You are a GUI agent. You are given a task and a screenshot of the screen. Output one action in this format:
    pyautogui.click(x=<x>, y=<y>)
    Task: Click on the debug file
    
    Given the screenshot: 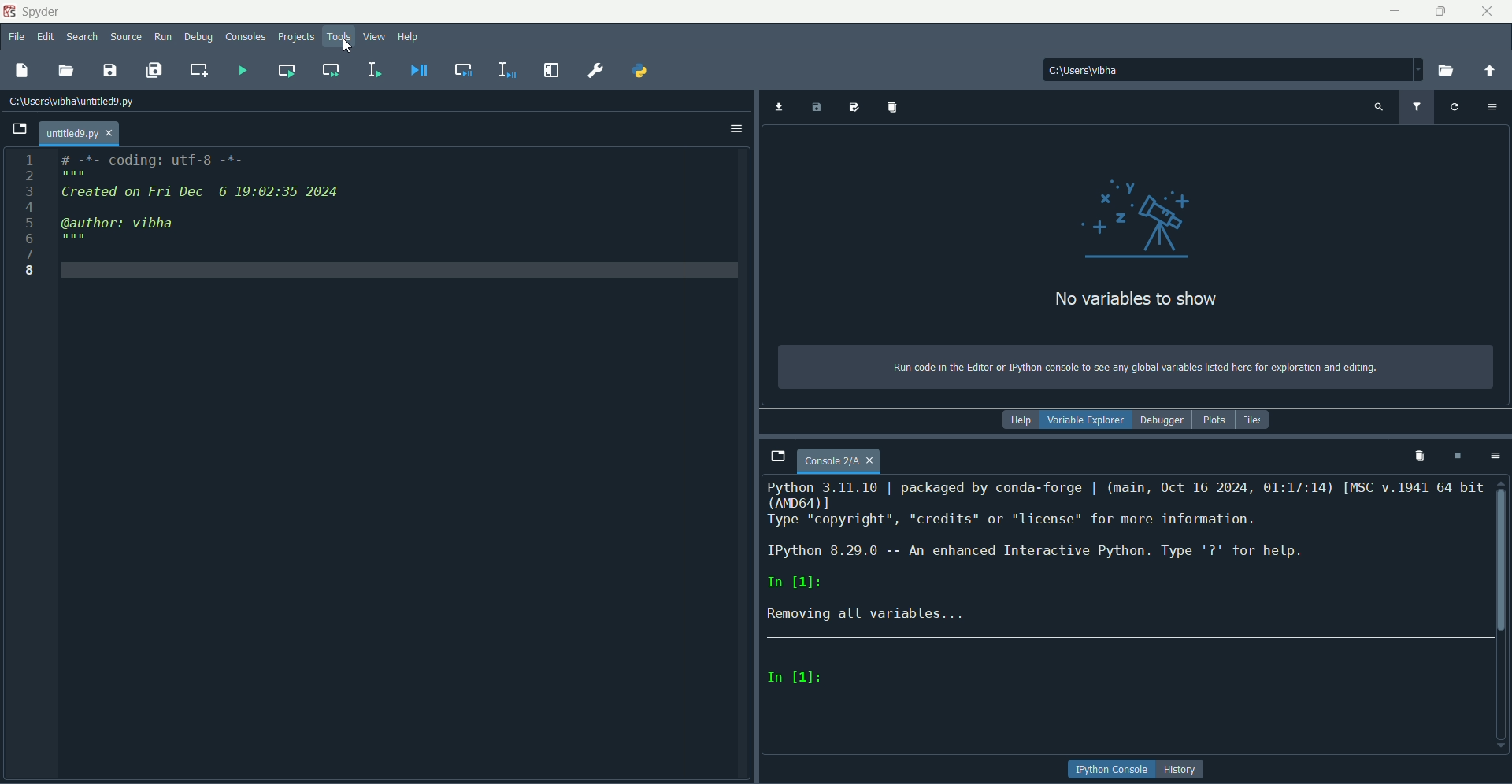 What is the action you would take?
    pyautogui.click(x=414, y=70)
    